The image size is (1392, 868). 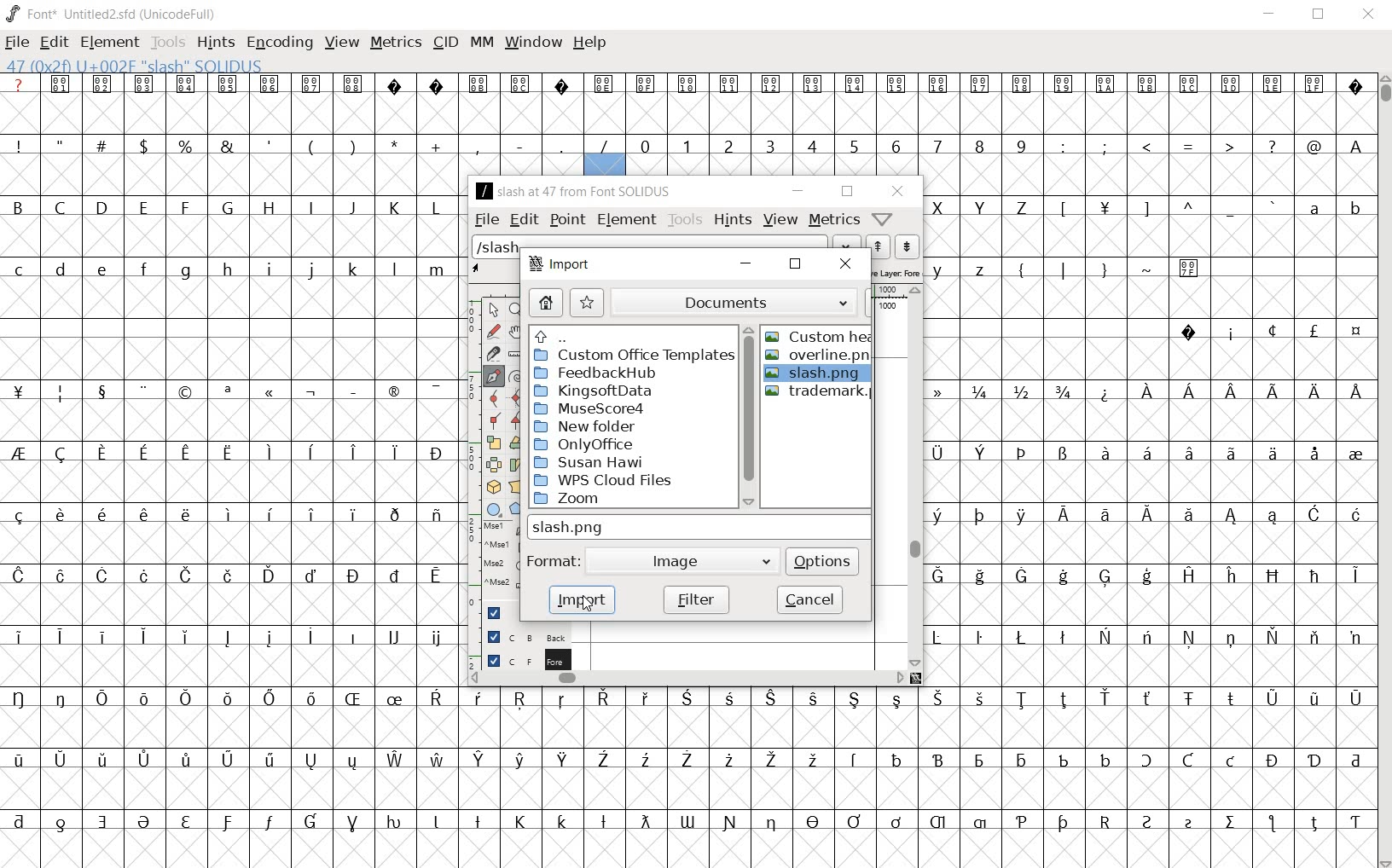 I want to click on CLOSE, so click(x=1367, y=14).